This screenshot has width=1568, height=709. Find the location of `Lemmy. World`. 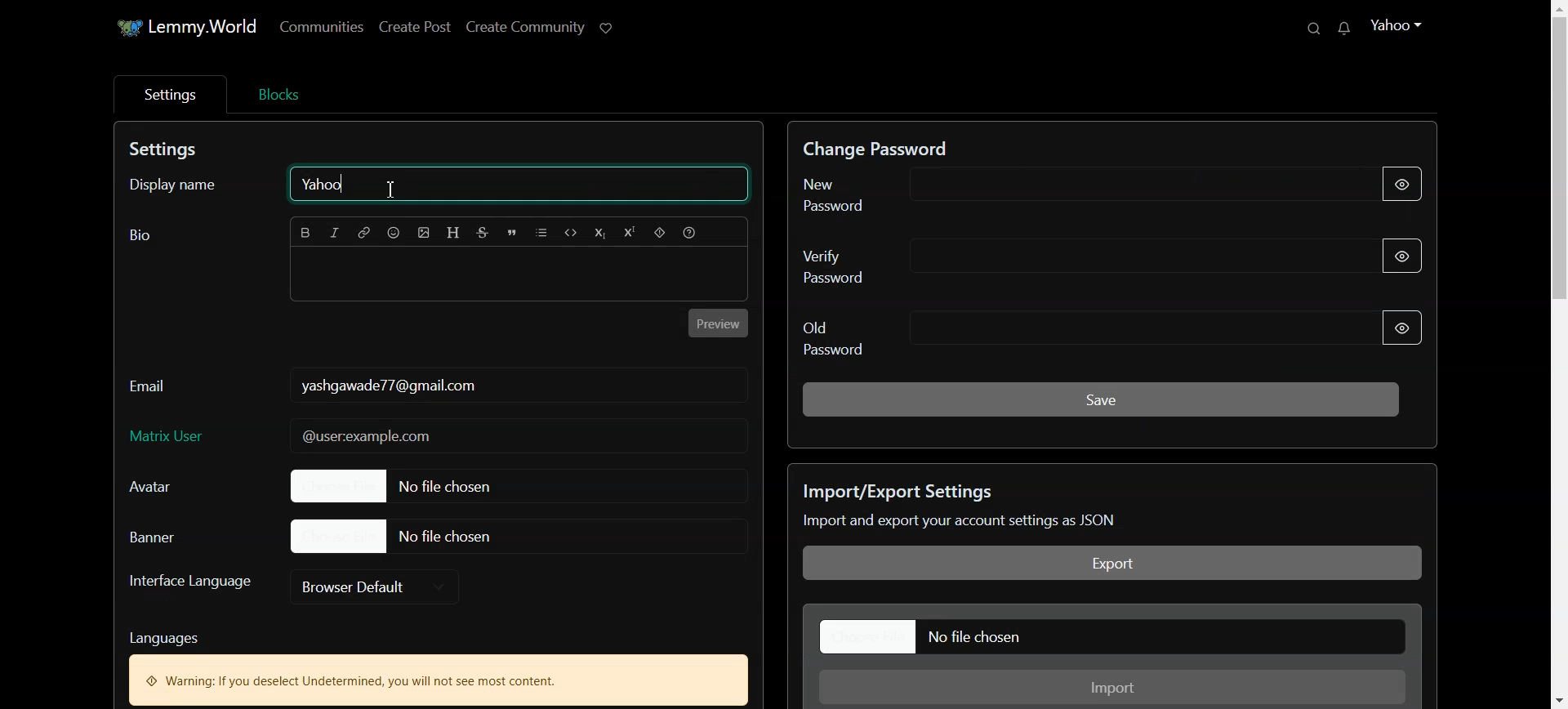

Lemmy. World is located at coordinates (175, 28).